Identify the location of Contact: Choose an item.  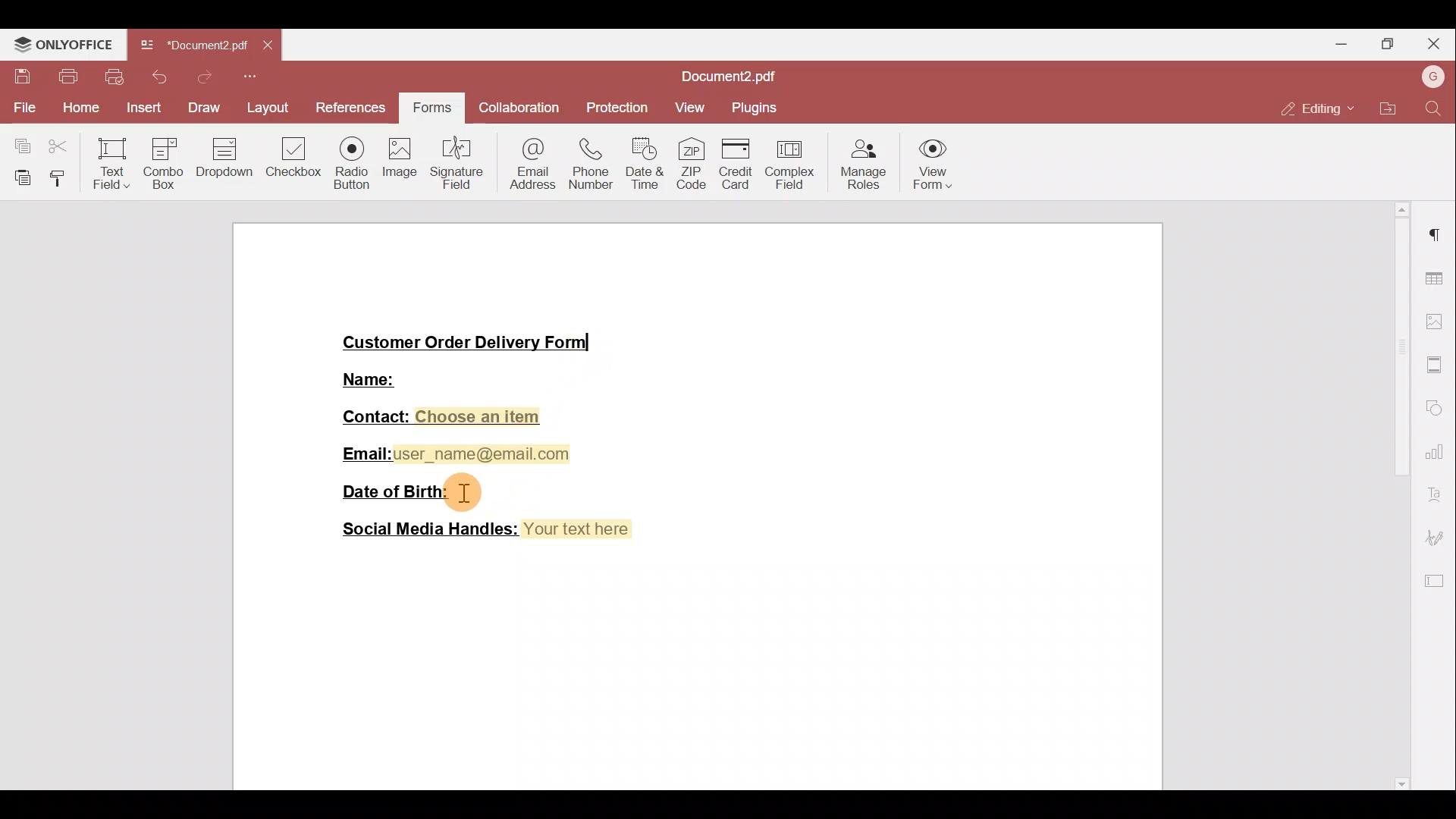
(444, 418).